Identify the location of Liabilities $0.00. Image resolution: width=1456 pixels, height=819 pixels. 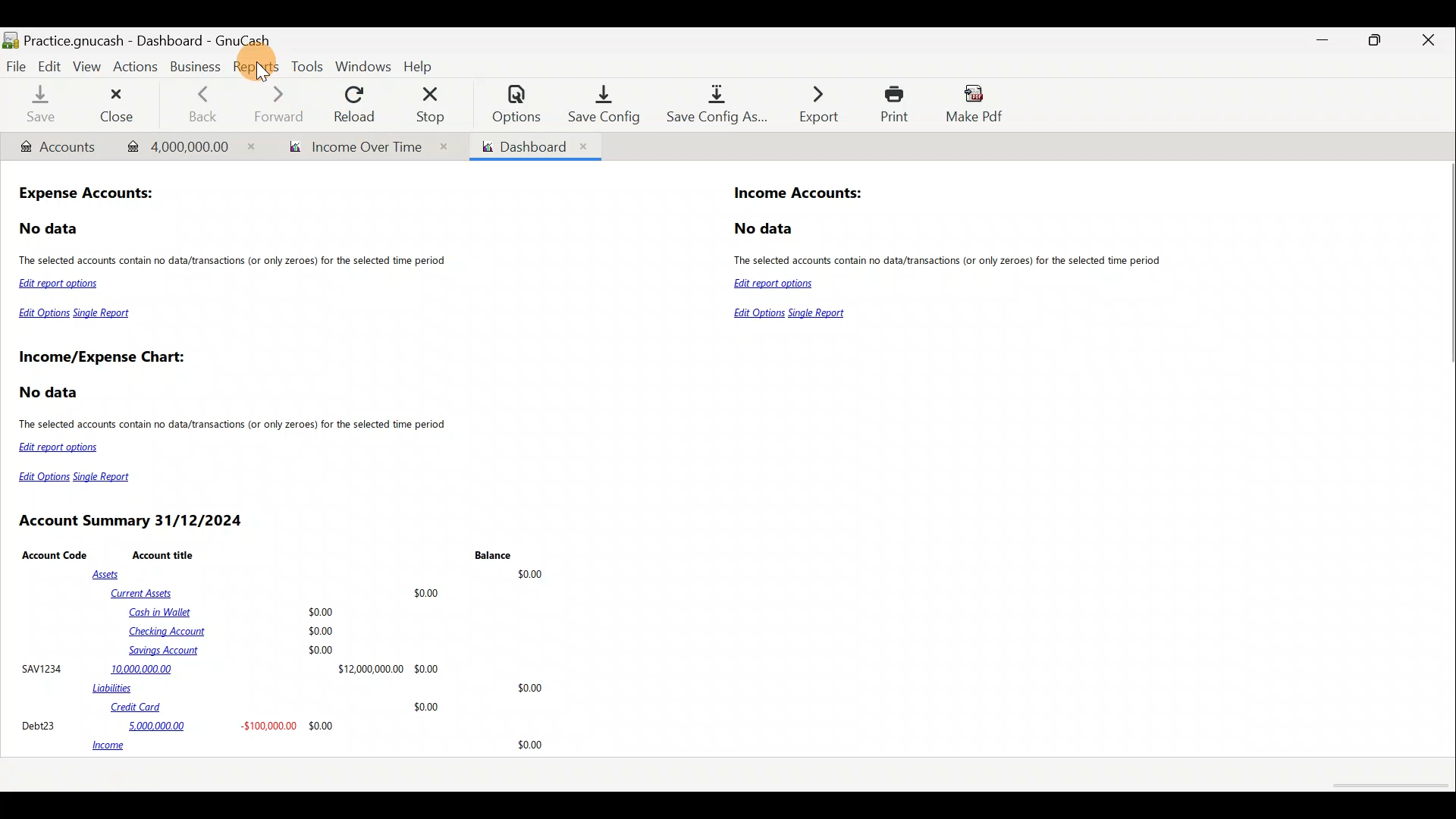
(321, 688).